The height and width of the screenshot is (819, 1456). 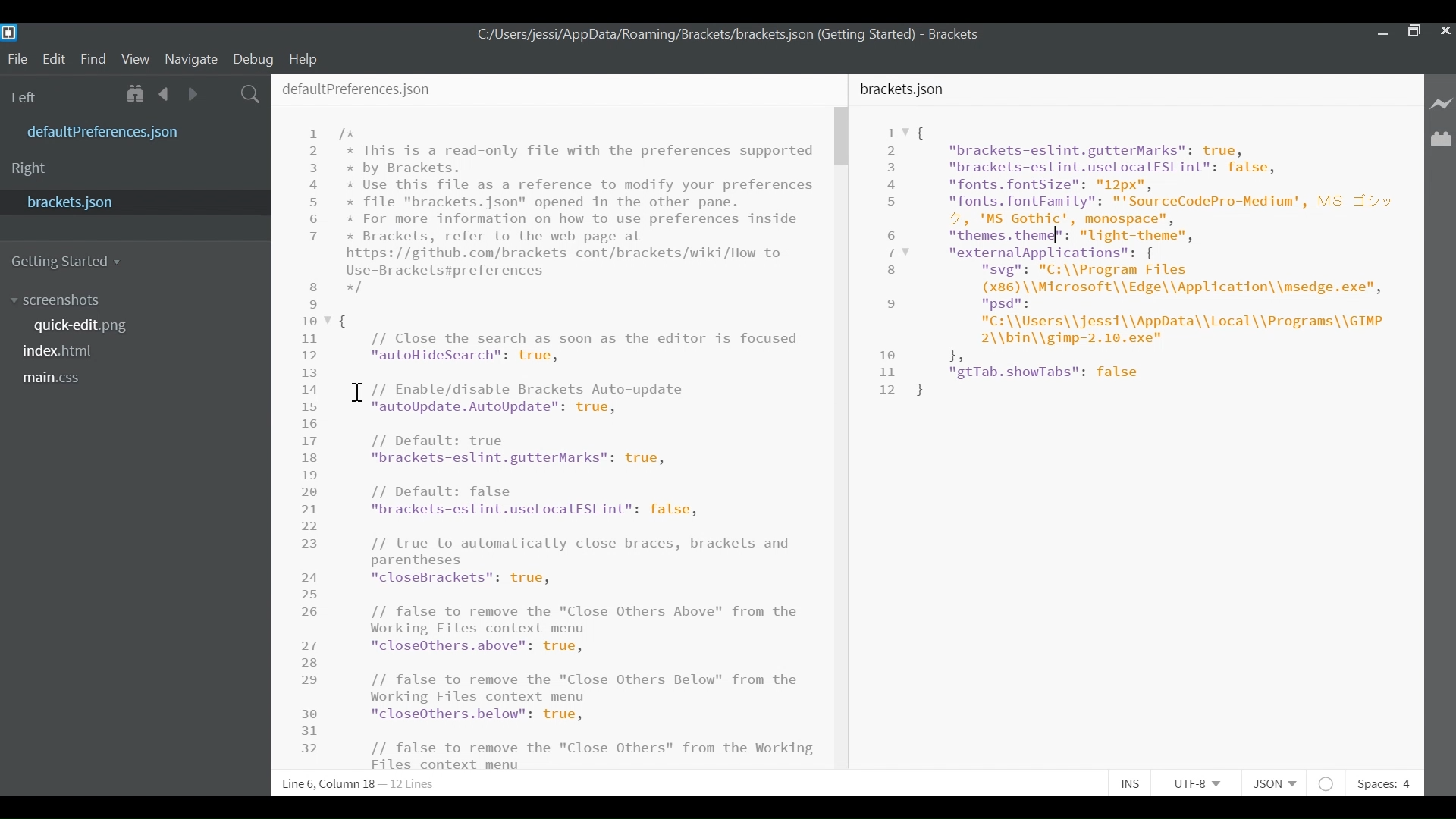 I want to click on brackets.json, so click(x=131, y=202).